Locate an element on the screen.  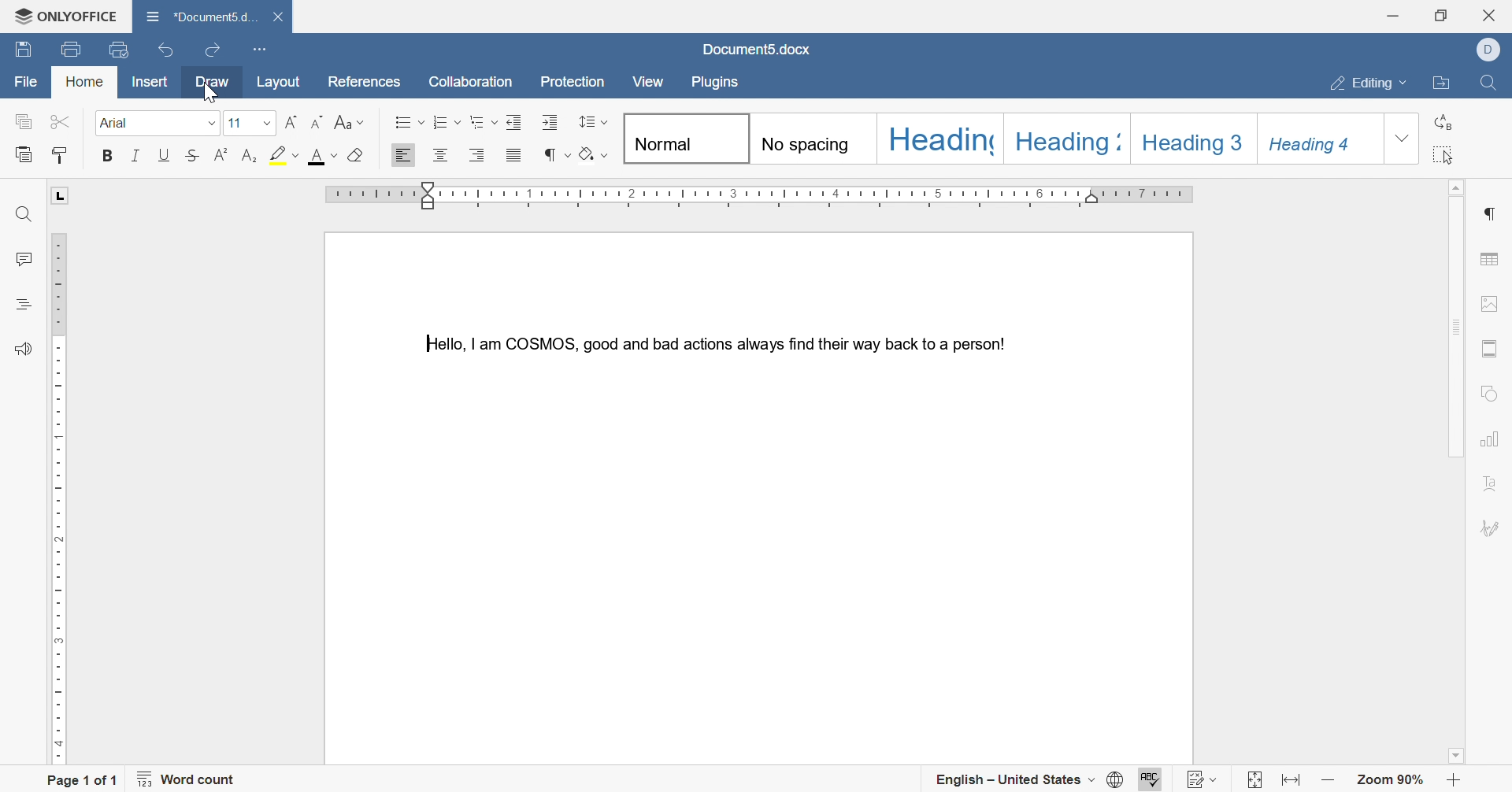
decrement font size is located at coordinates (320, 121).